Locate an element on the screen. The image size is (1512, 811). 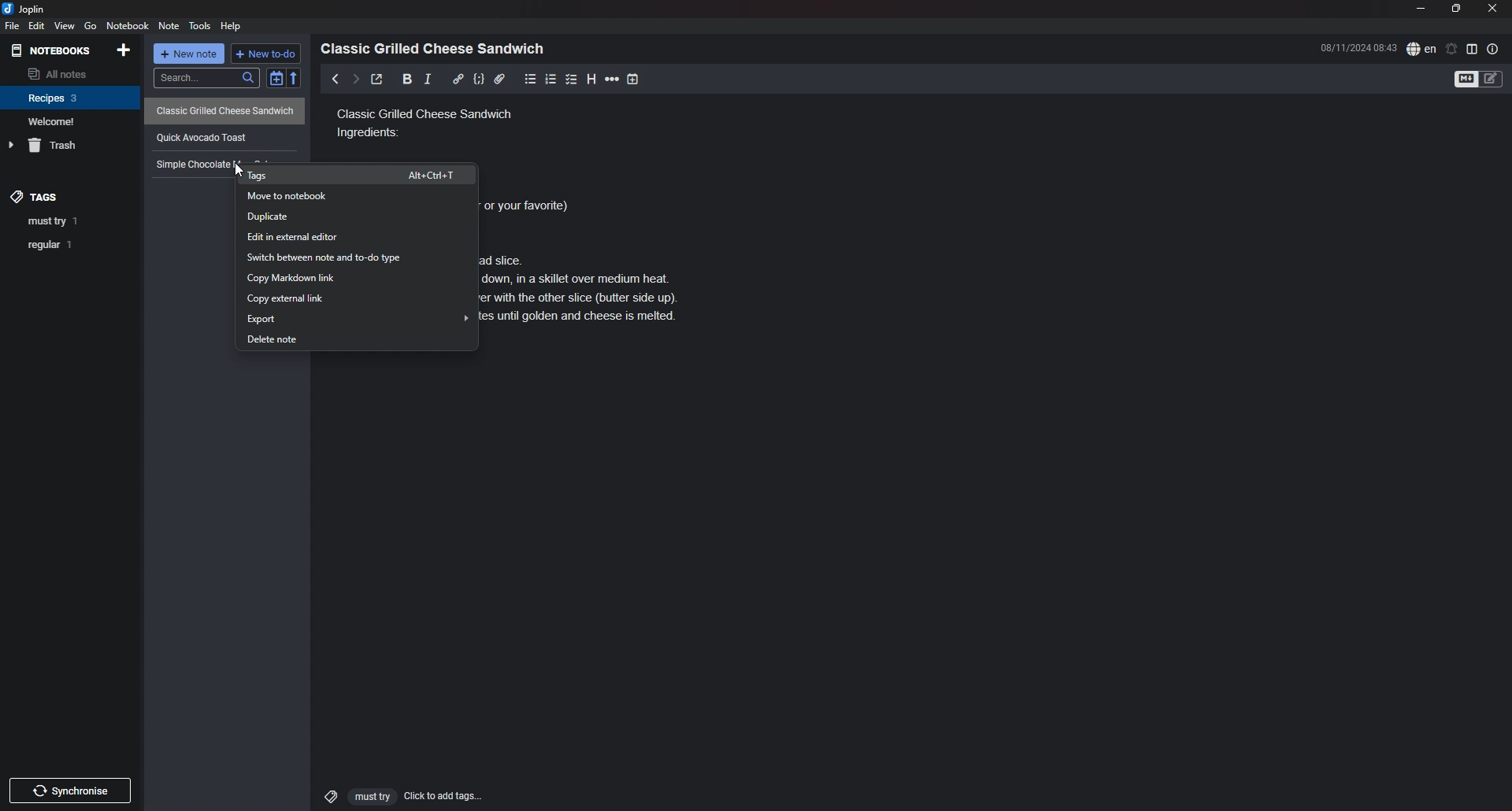
close is located at coordinates (1494, 8).